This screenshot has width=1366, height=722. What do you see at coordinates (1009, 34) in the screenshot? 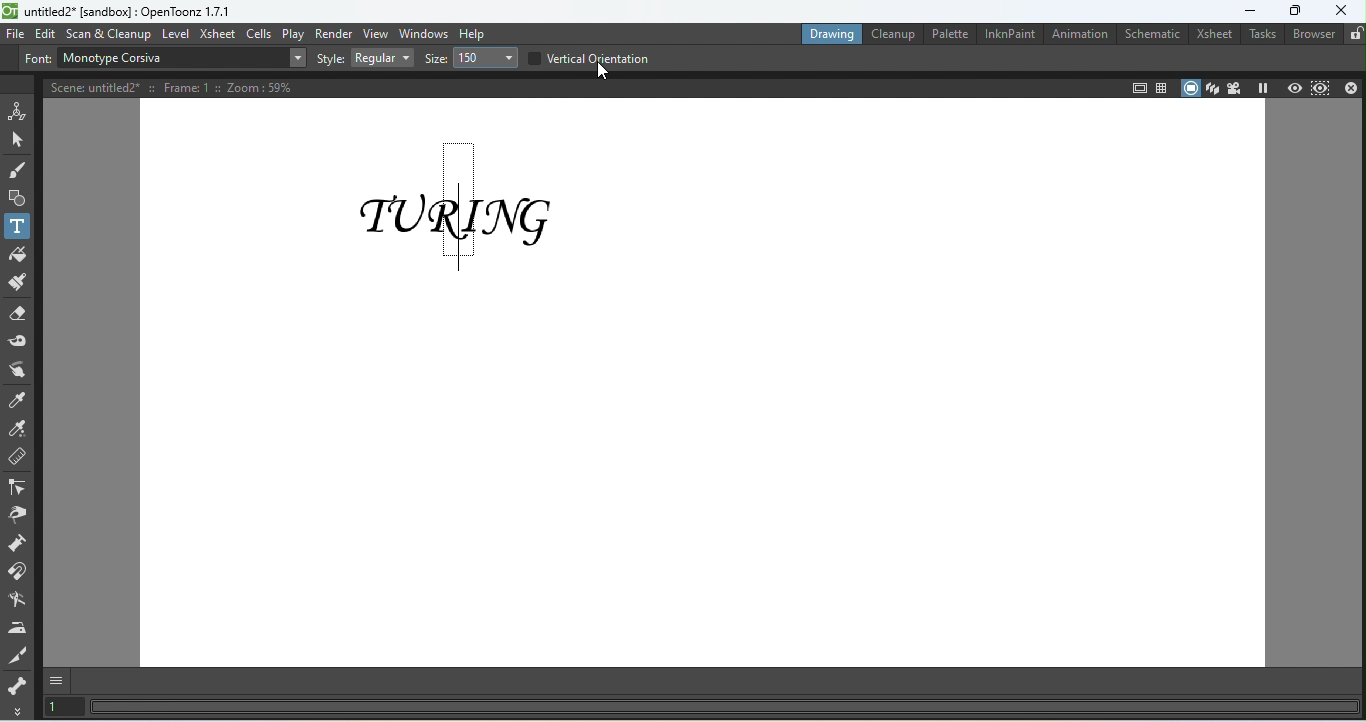
I see `InknPaint` at bounding box center [1009, 34].